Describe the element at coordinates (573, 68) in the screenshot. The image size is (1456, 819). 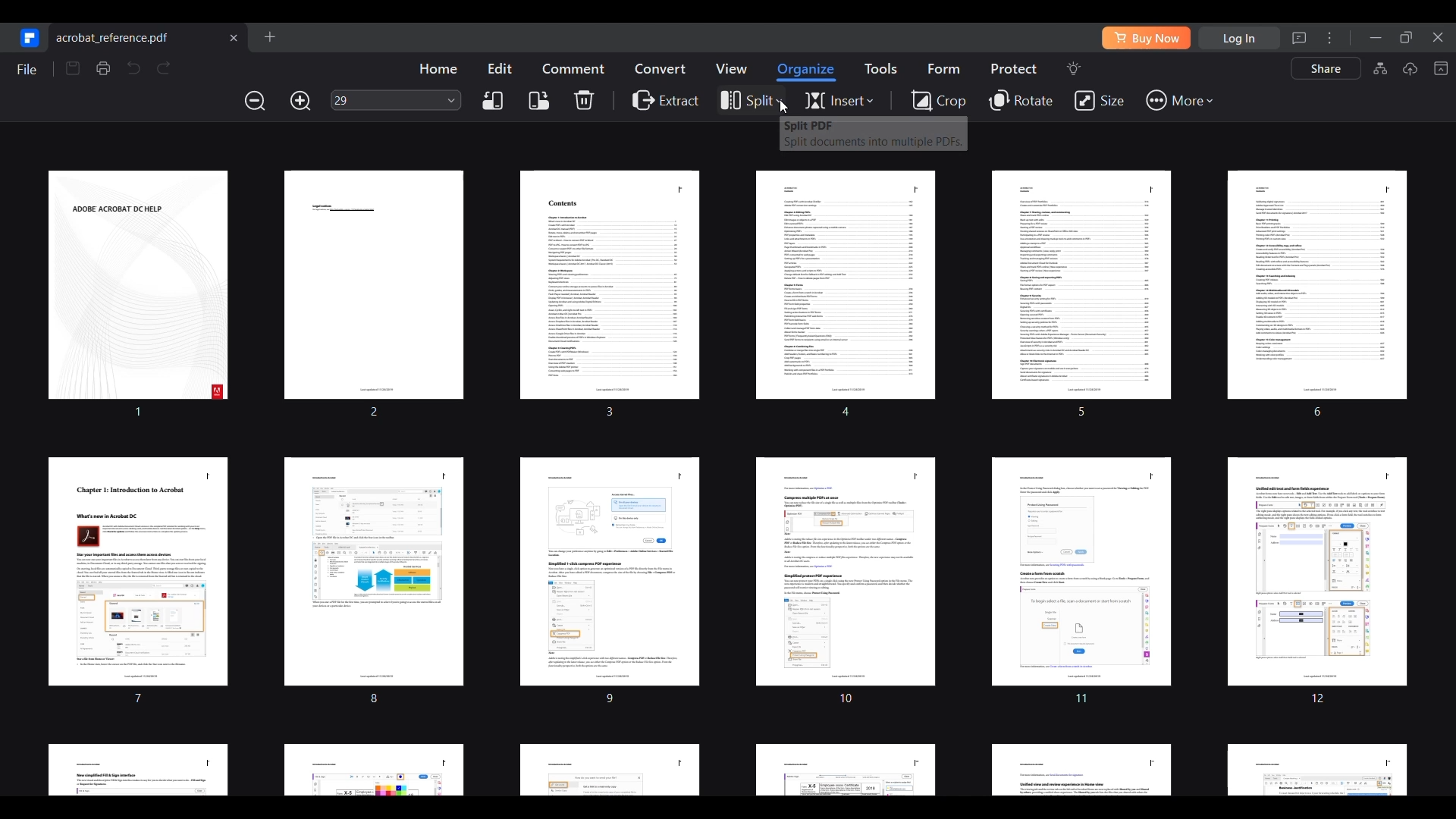
I see `Comment` at that location.